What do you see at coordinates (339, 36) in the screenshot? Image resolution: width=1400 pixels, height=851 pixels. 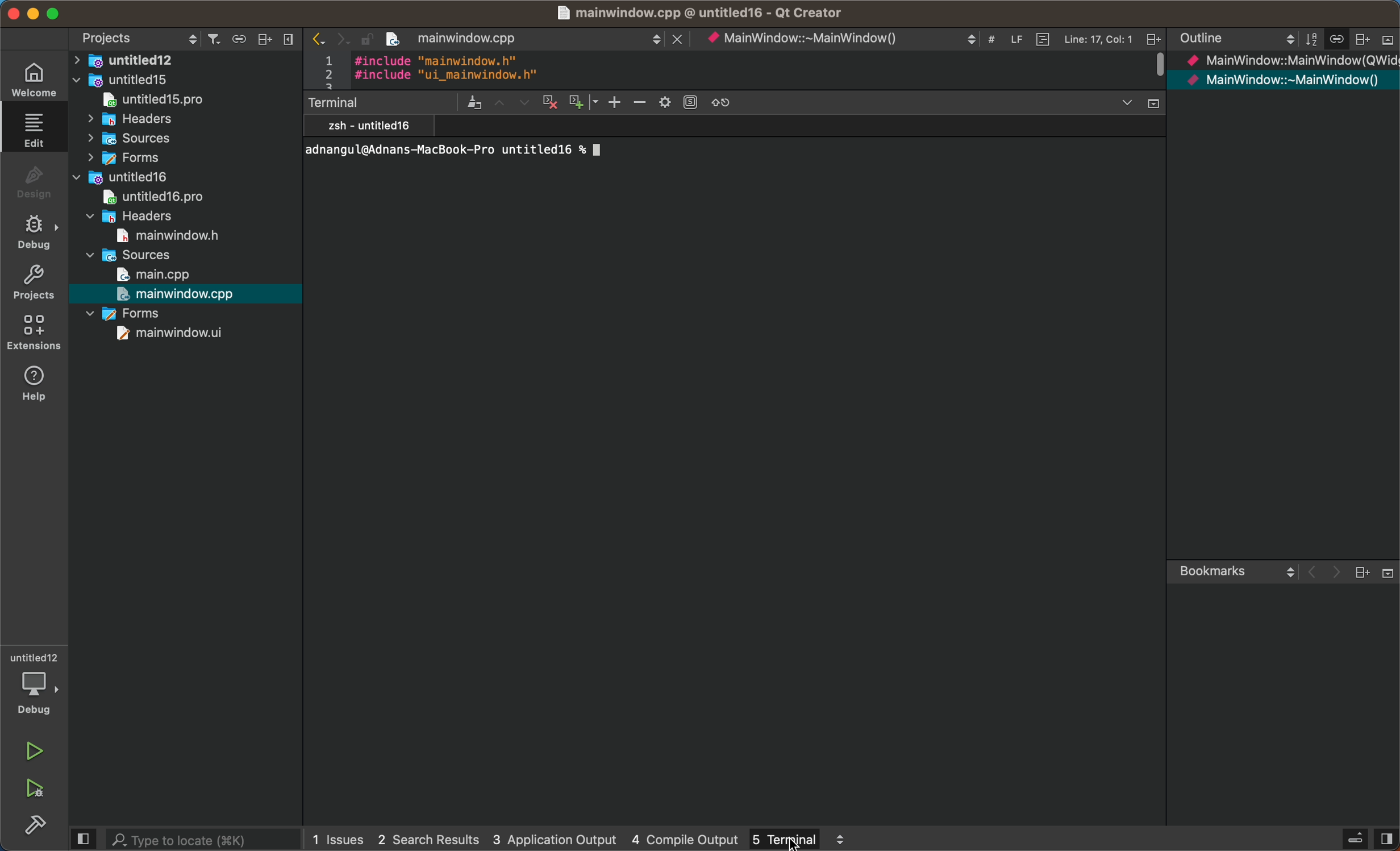 I see `next` at bounding box center [339, 36].